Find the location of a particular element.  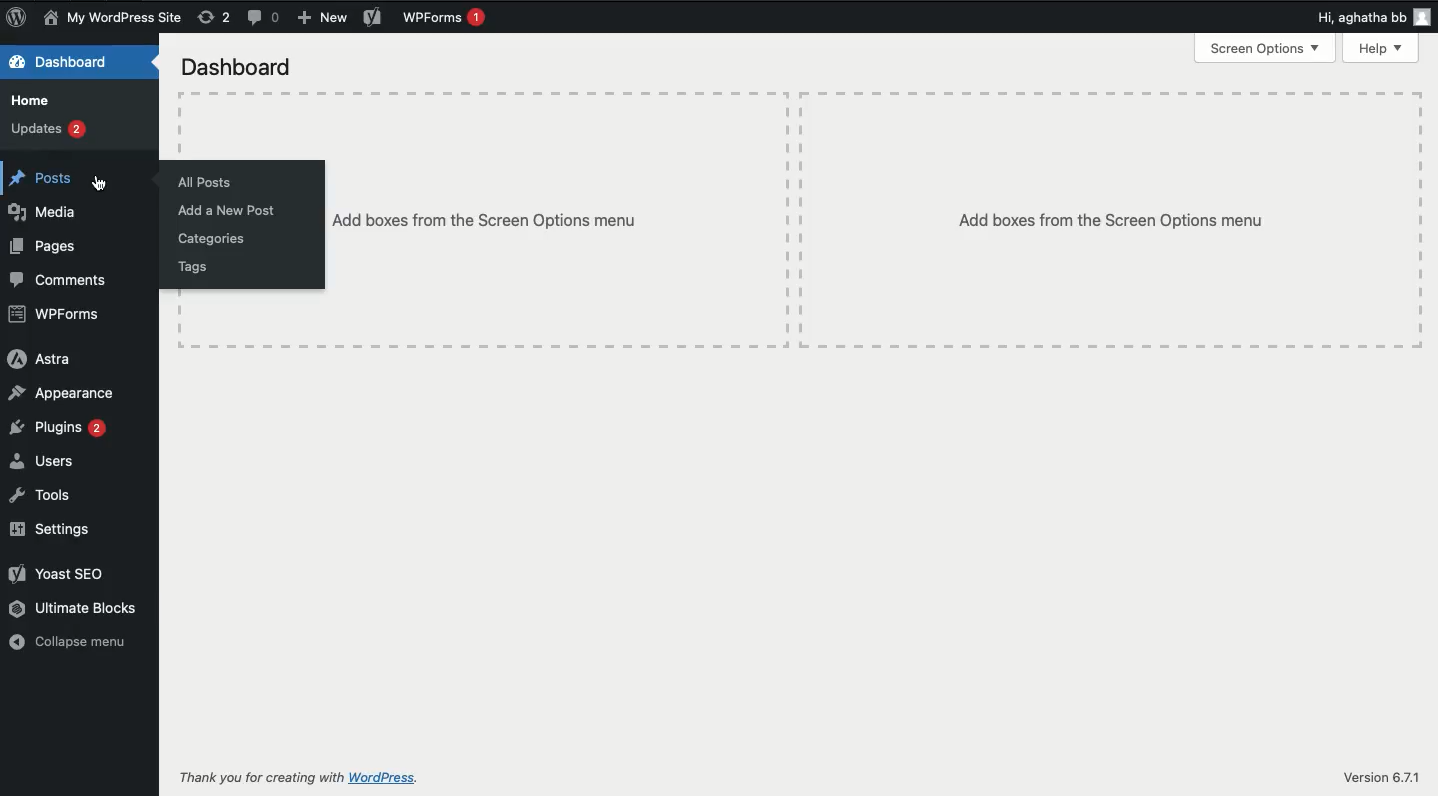

All posts is located at coordinates (203, 184).